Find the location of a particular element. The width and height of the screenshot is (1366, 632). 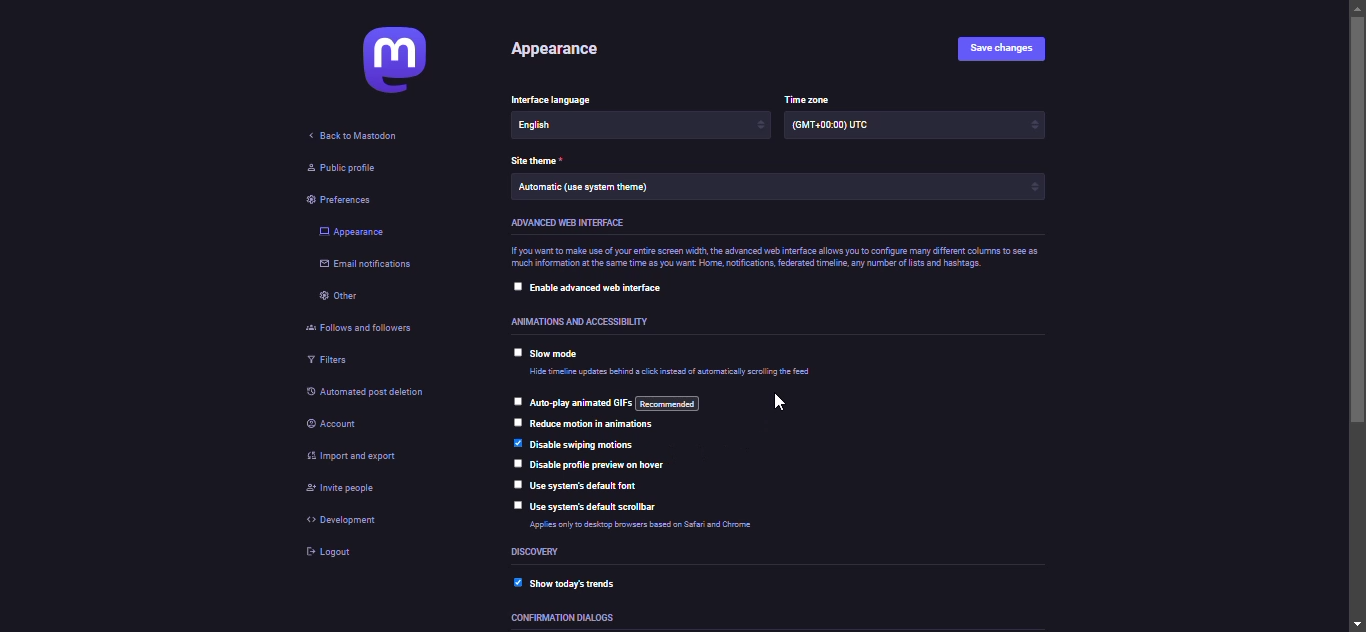

save changes is located at coordinates (1005, 45).